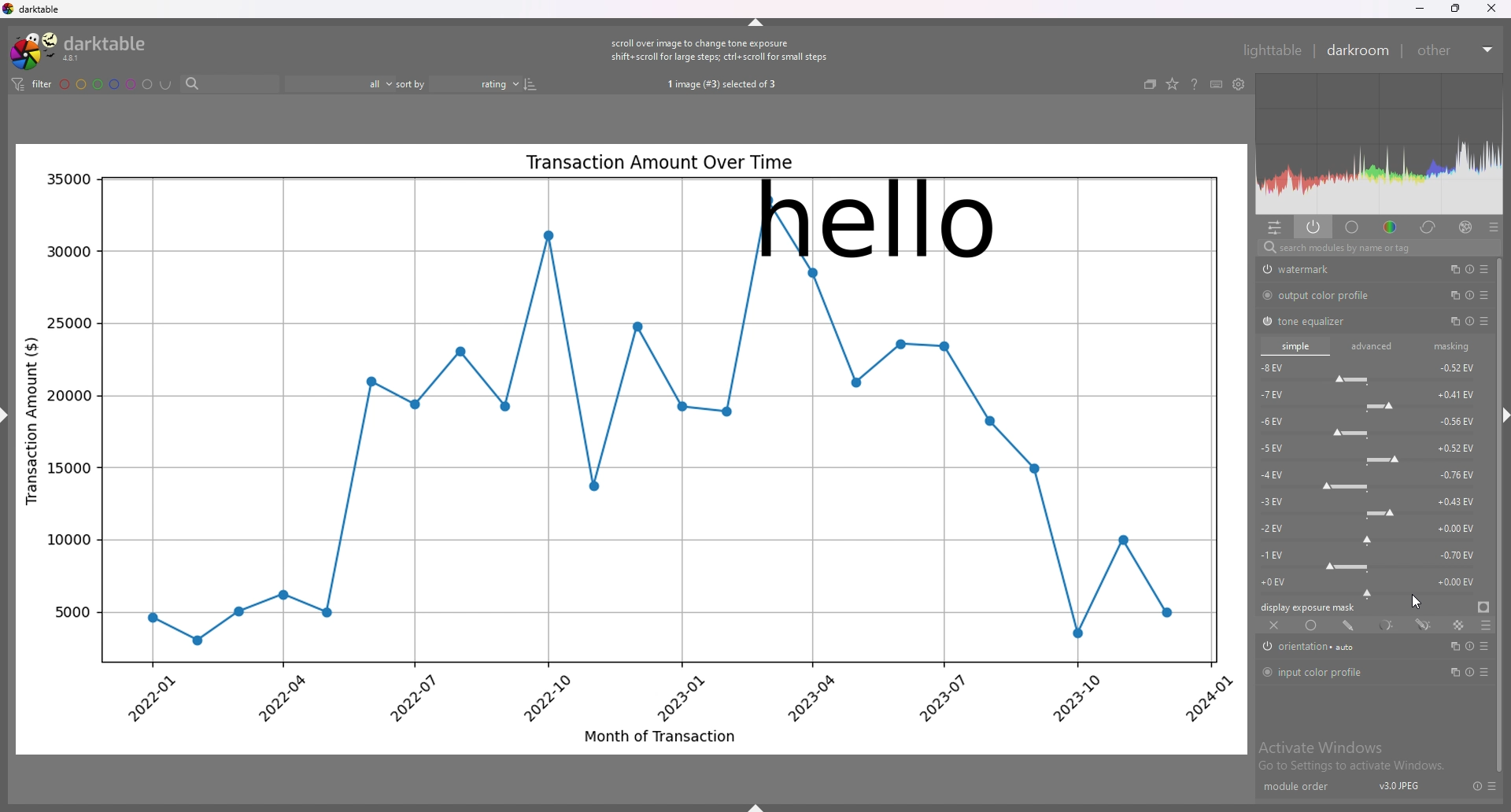  Describe the element at coordinates (1309, 607) in the screenshot. I see `display exposure mask` at that location.